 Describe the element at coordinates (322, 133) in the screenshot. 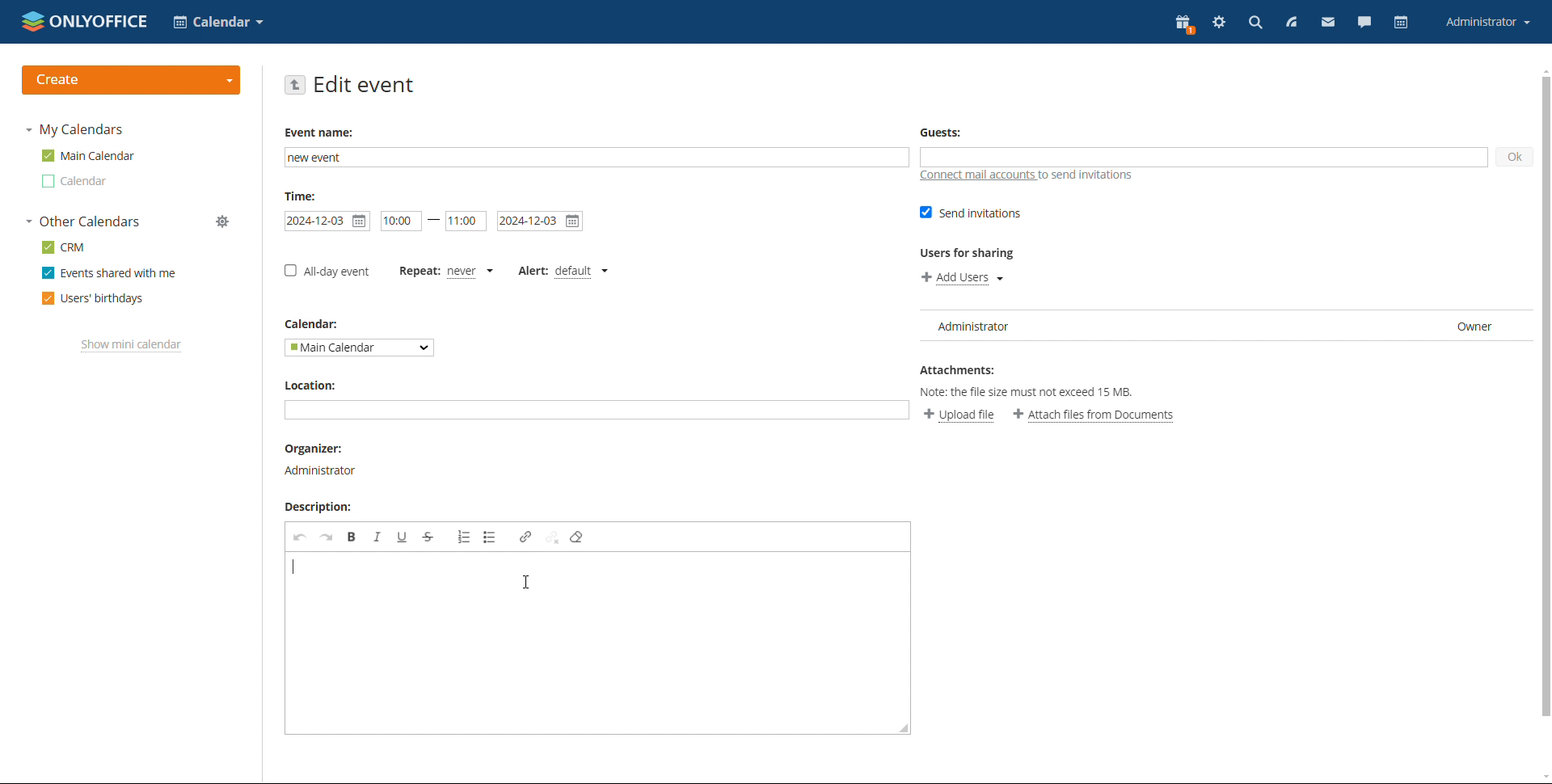

I see `Event name:` at that location.